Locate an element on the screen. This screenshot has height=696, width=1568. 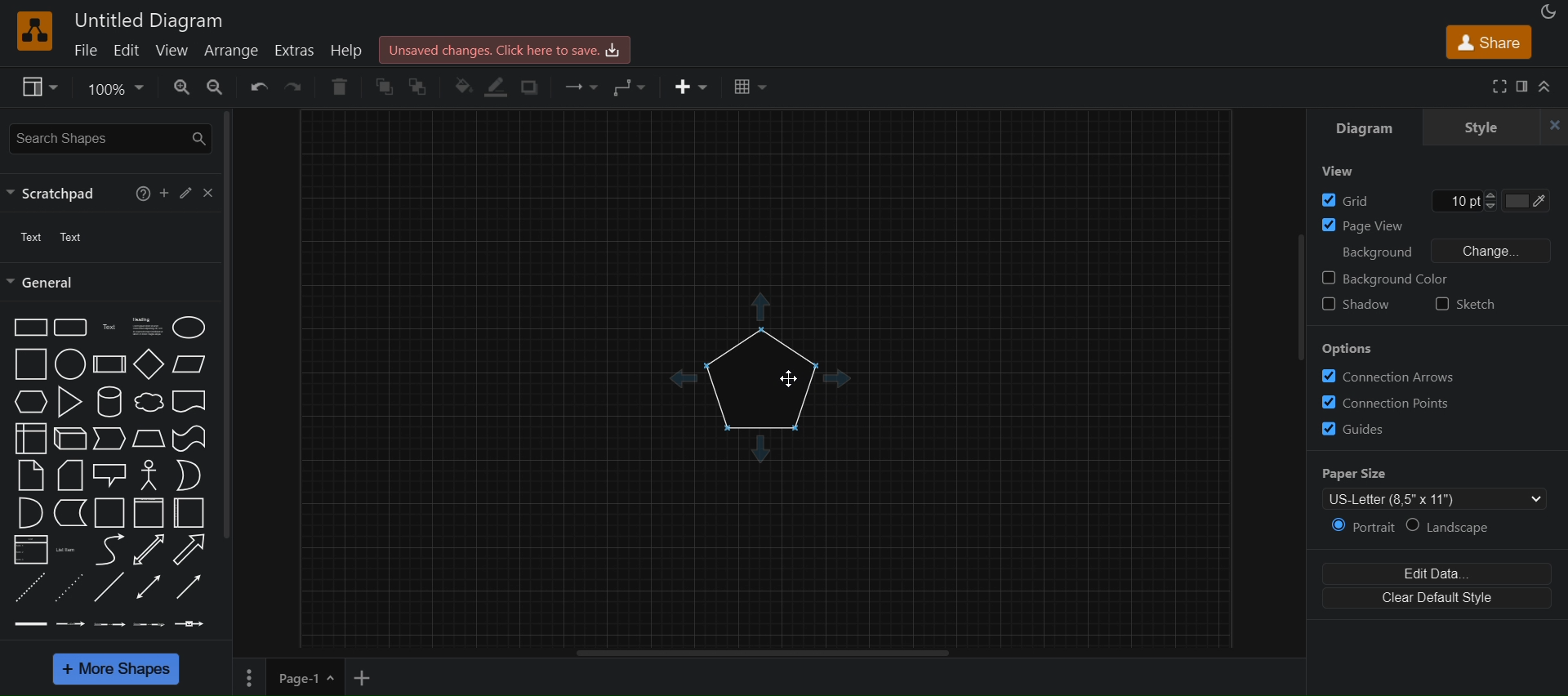
vertical scroll bar is located at coordinates (225, 327).